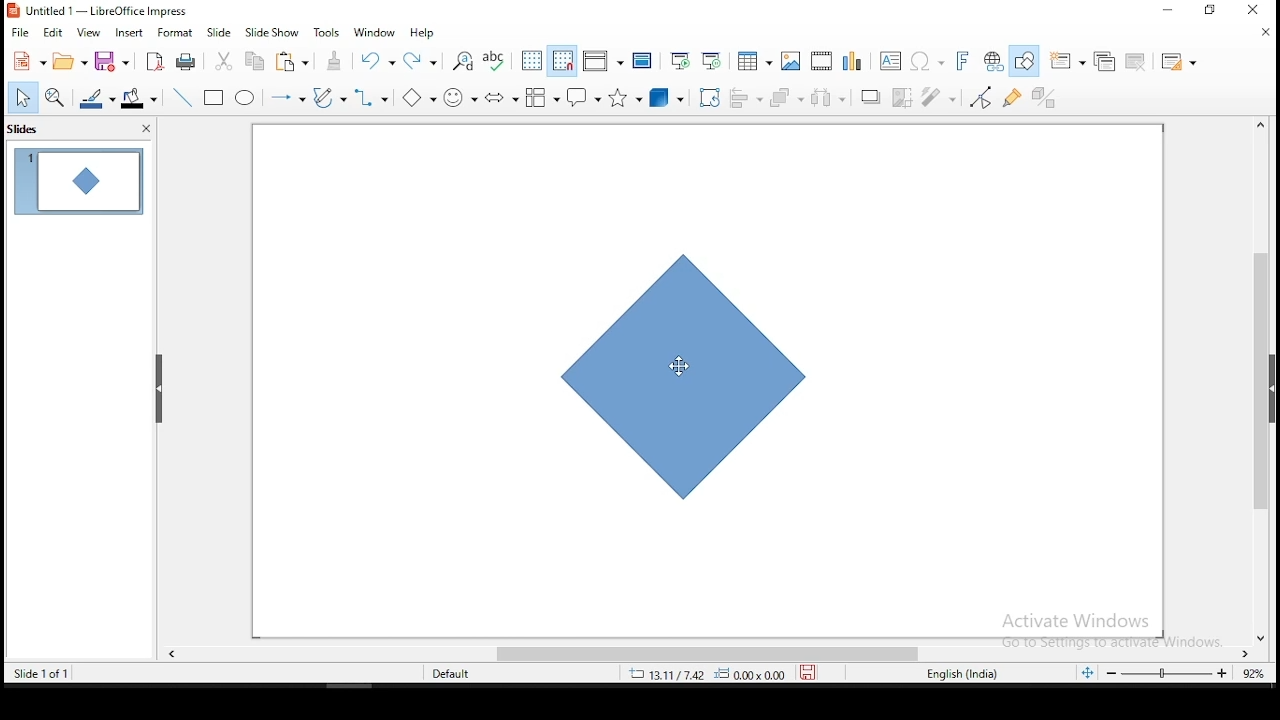  I want to click on slide 1, so click(76, 180).